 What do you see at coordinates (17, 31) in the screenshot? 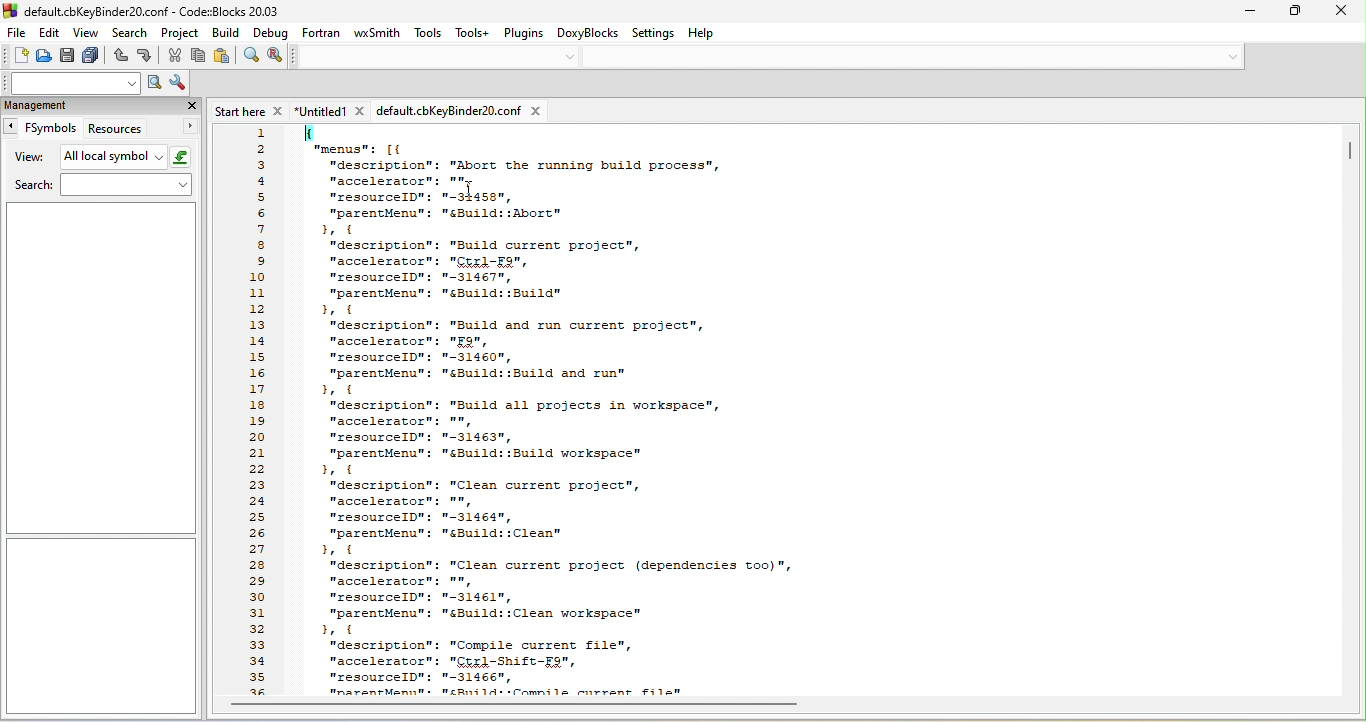
I see `file` at bounding box center [17, 31].